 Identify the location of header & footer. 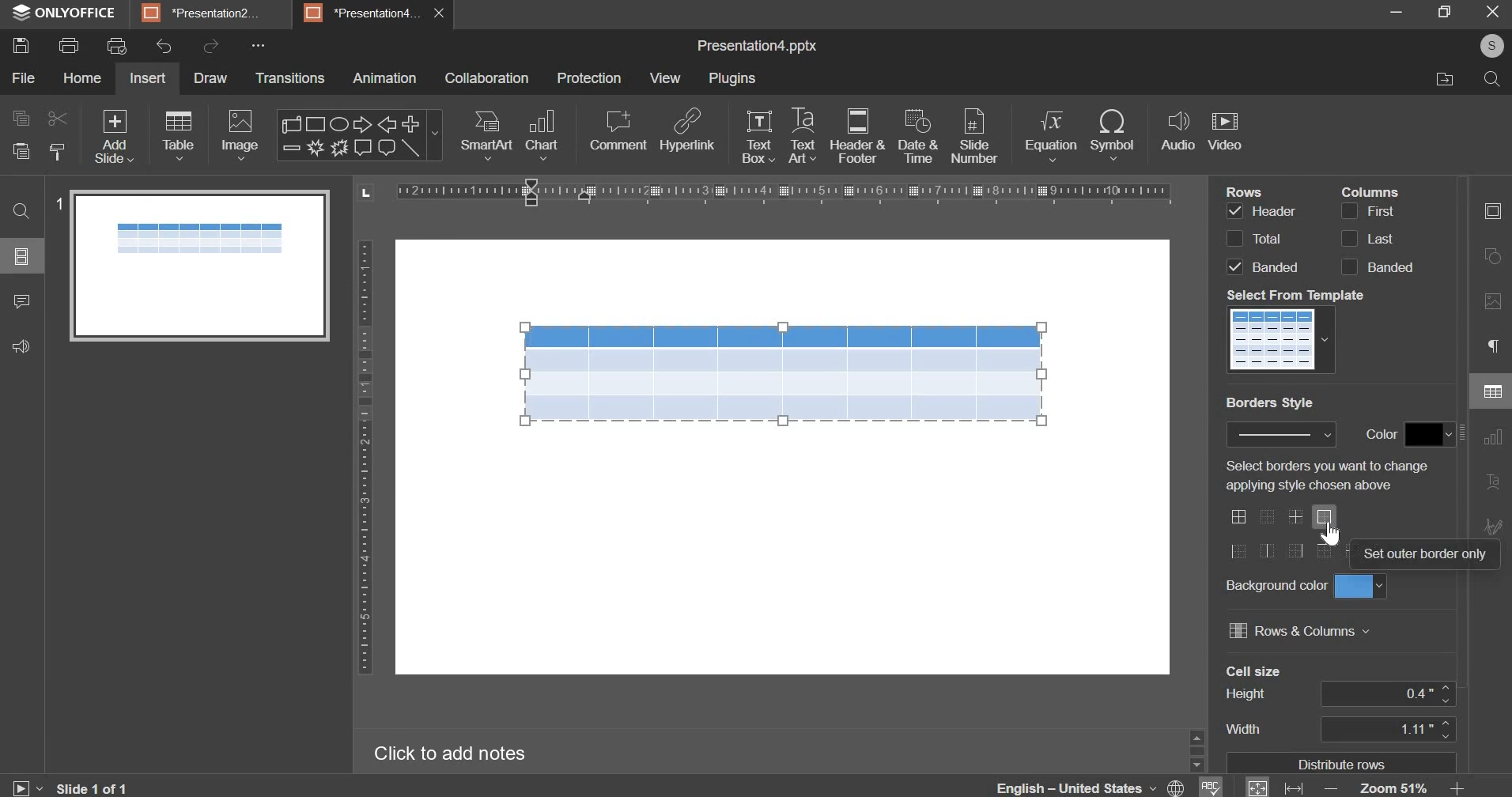
(857, 136).